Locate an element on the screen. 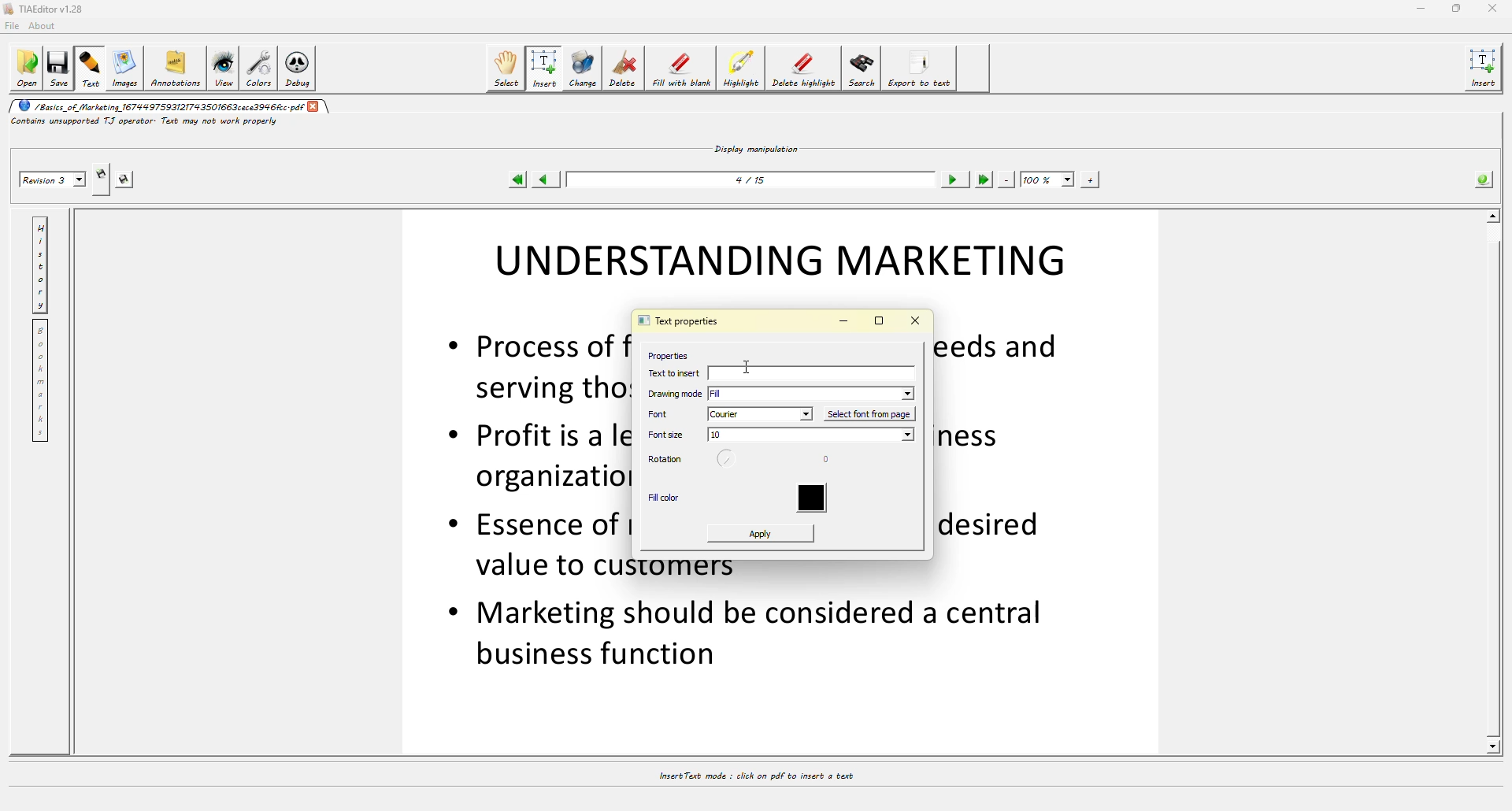 The image size is (1512, 811). contains unsupported TJ operator text may not work properly is located at coordinates (146, 124).